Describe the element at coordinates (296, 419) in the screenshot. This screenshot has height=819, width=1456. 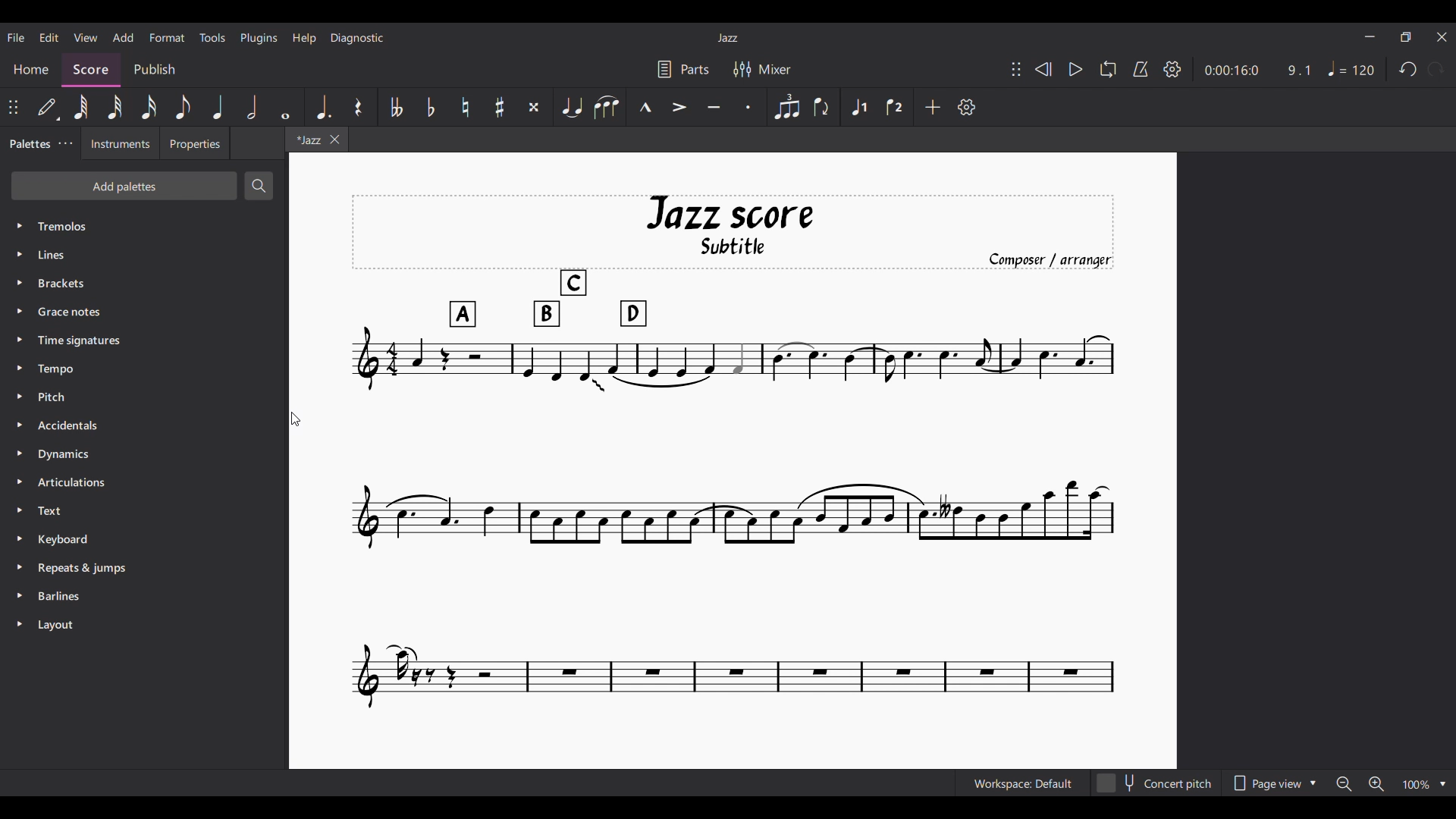
I see `Cursor position unchanged` at that location.